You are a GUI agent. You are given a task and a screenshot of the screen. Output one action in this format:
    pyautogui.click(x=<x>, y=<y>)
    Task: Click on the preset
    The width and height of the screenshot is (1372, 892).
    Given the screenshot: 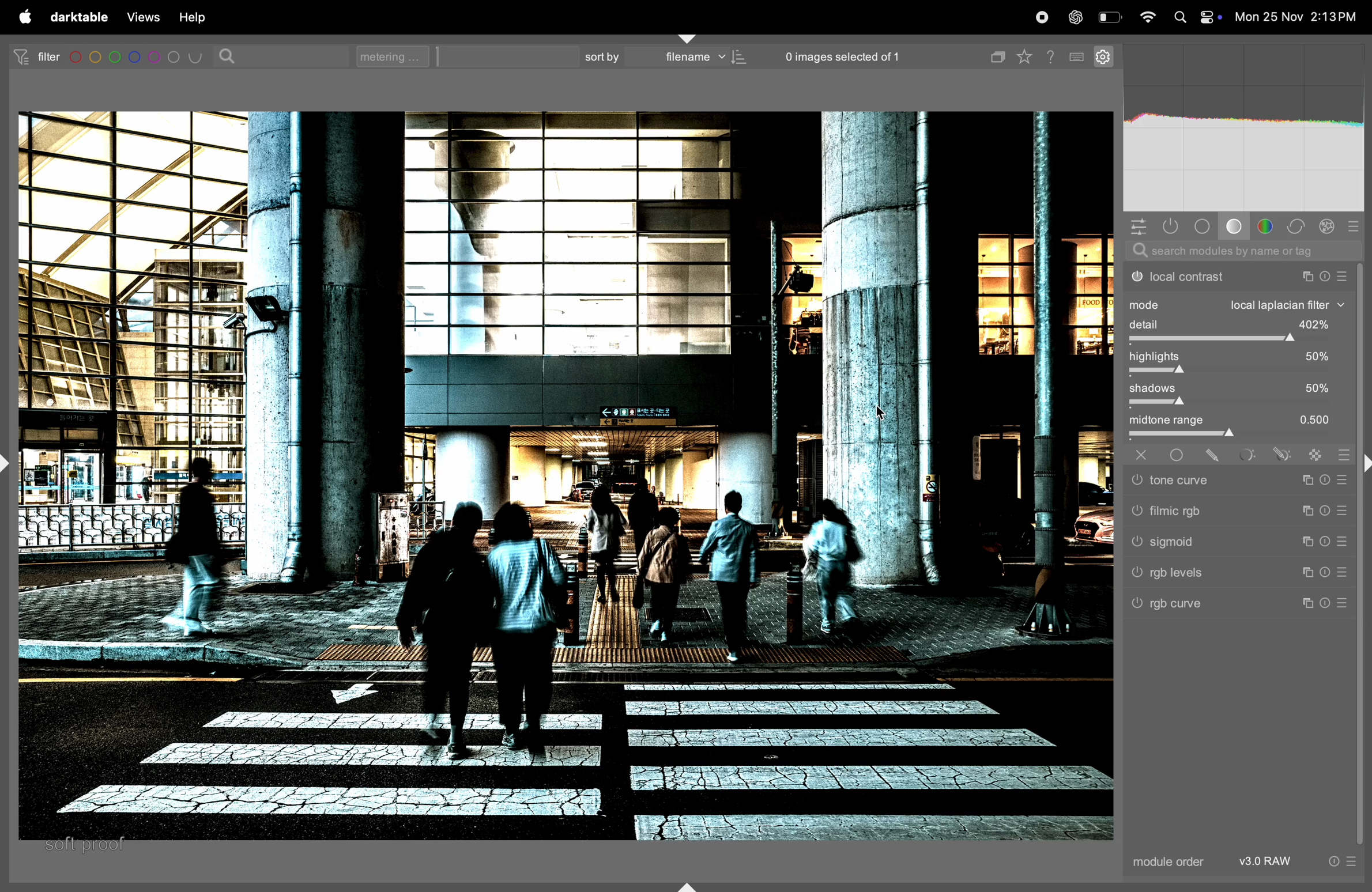 What is the action you would take?
    pyautogui.click(x=1343, y=604)
    